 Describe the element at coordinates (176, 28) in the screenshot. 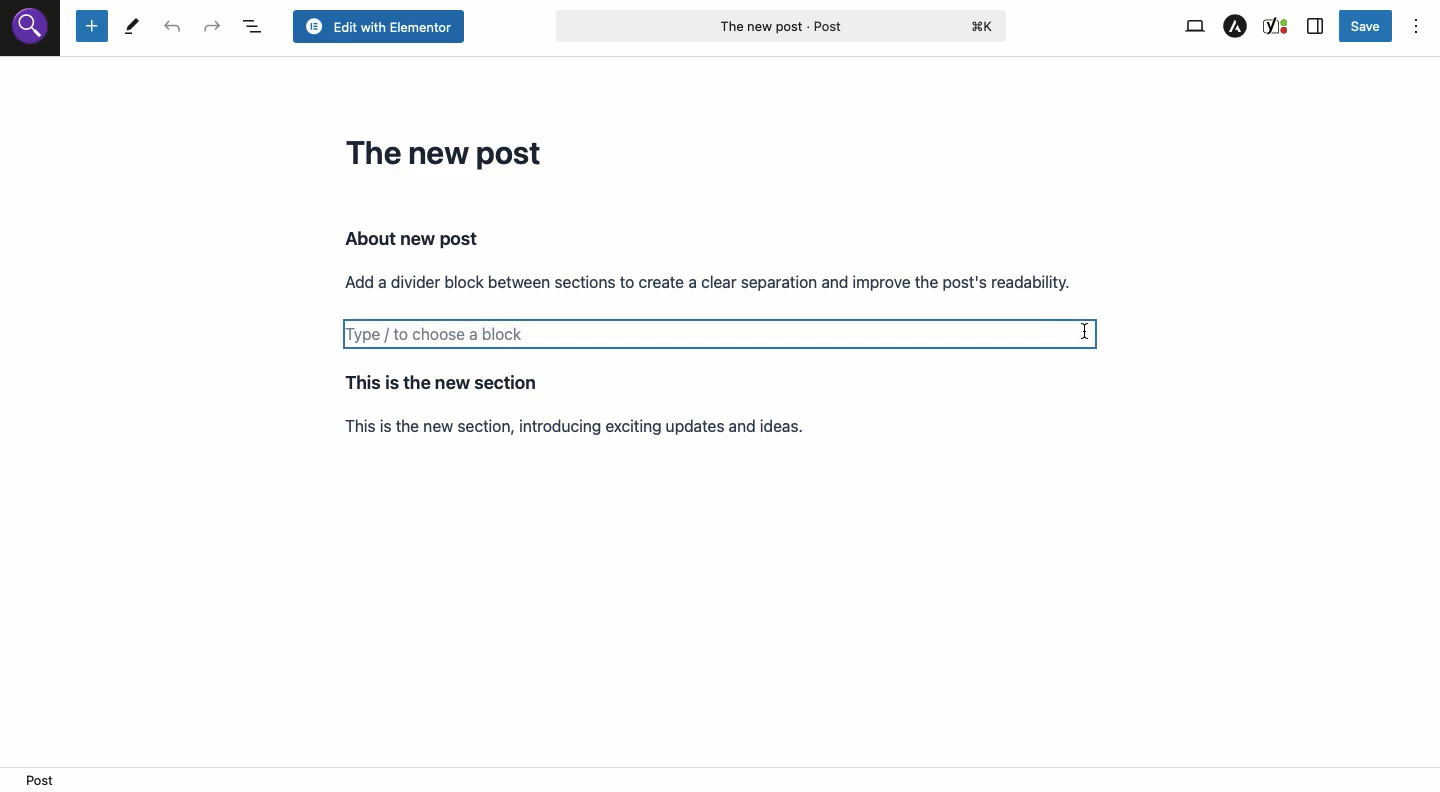

I see `Undo` at that location.